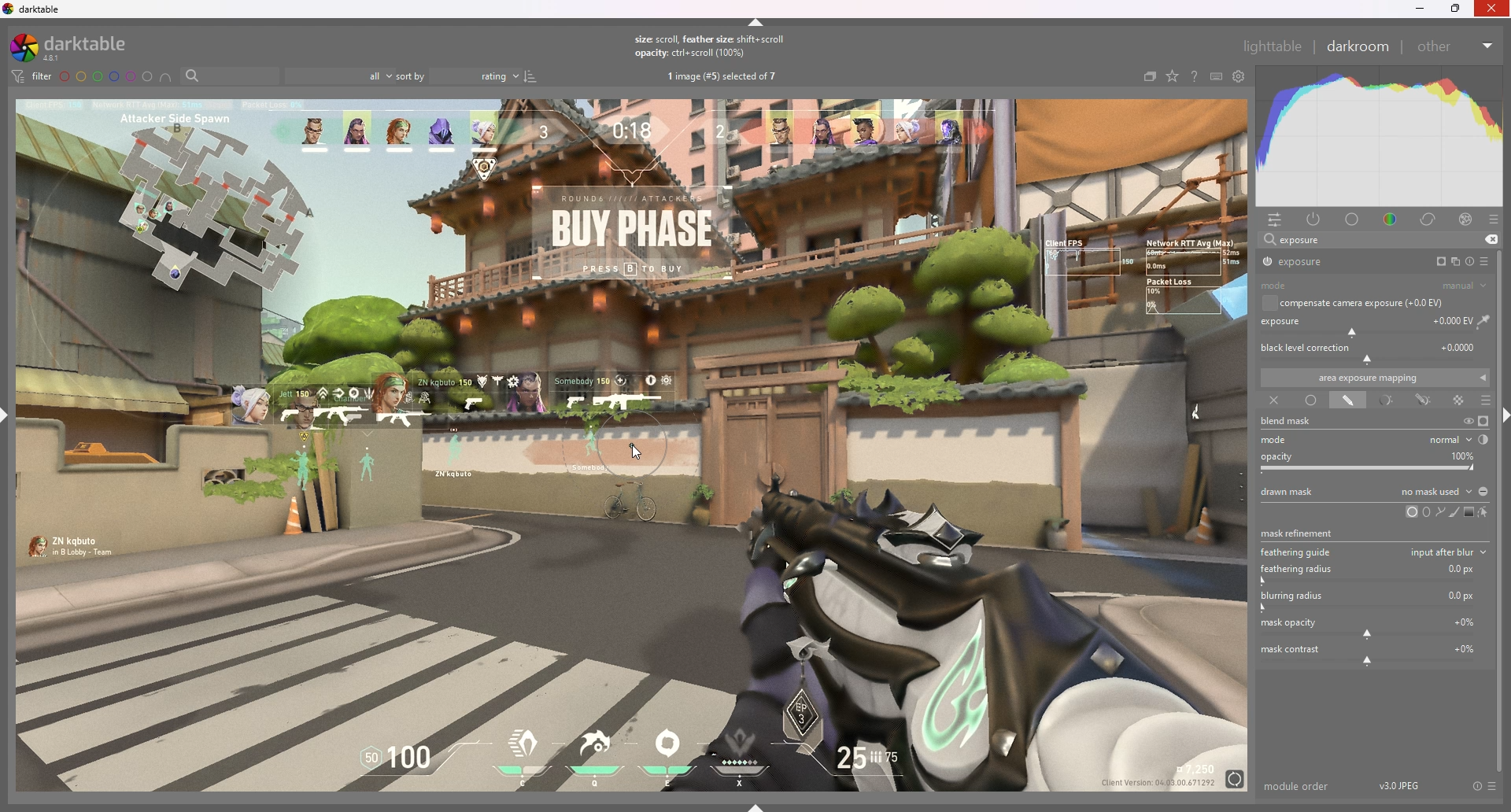 The height and width of the screenshot is (812, 1511). What do you see at coordinates (1372, 601) in the screenshot?
I see `blurring radius` at bounding box center [1372, 601].